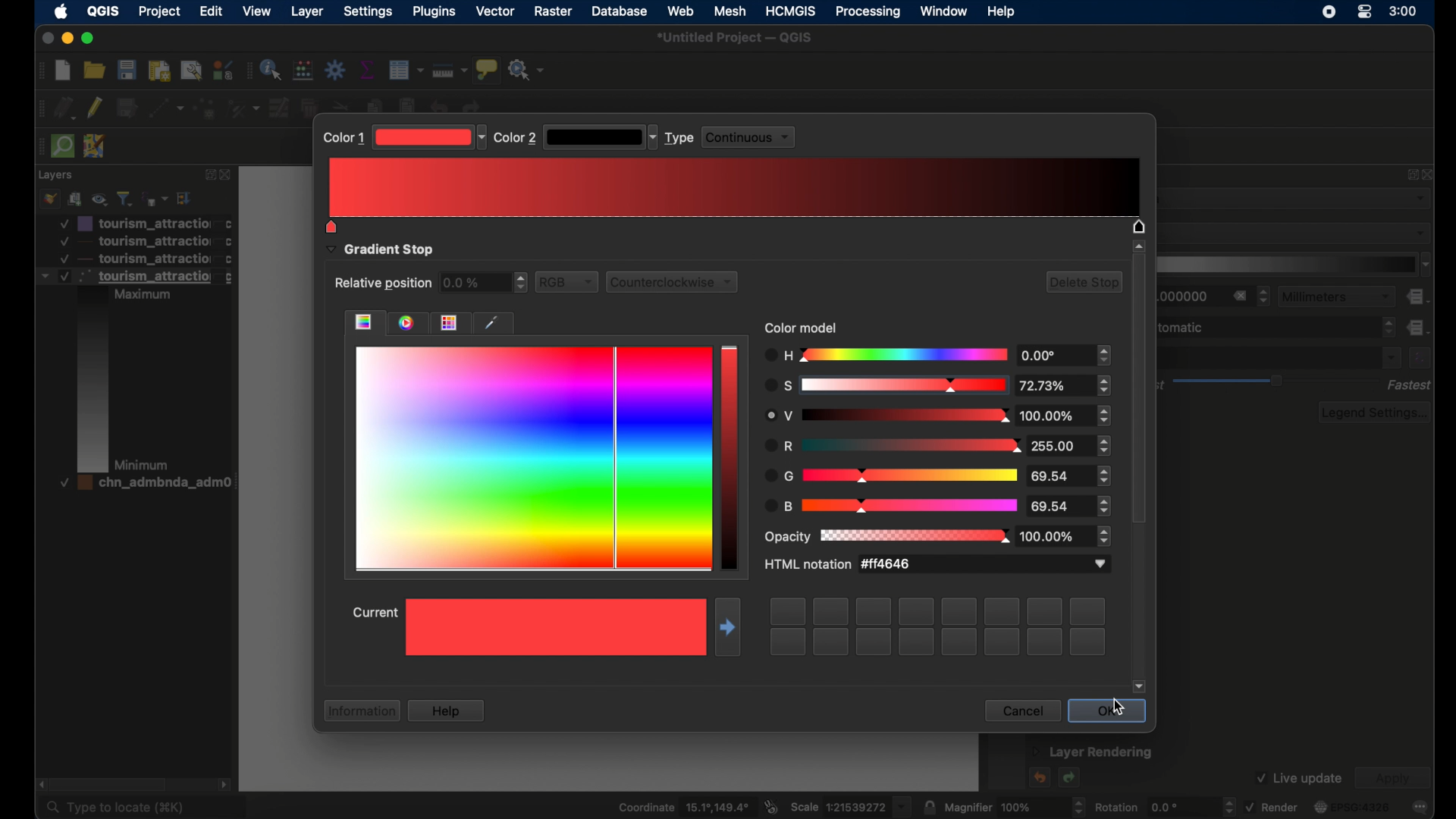  Describe the element at coordinates (90, 39) in the screenshot. I see `maximize` at that location.